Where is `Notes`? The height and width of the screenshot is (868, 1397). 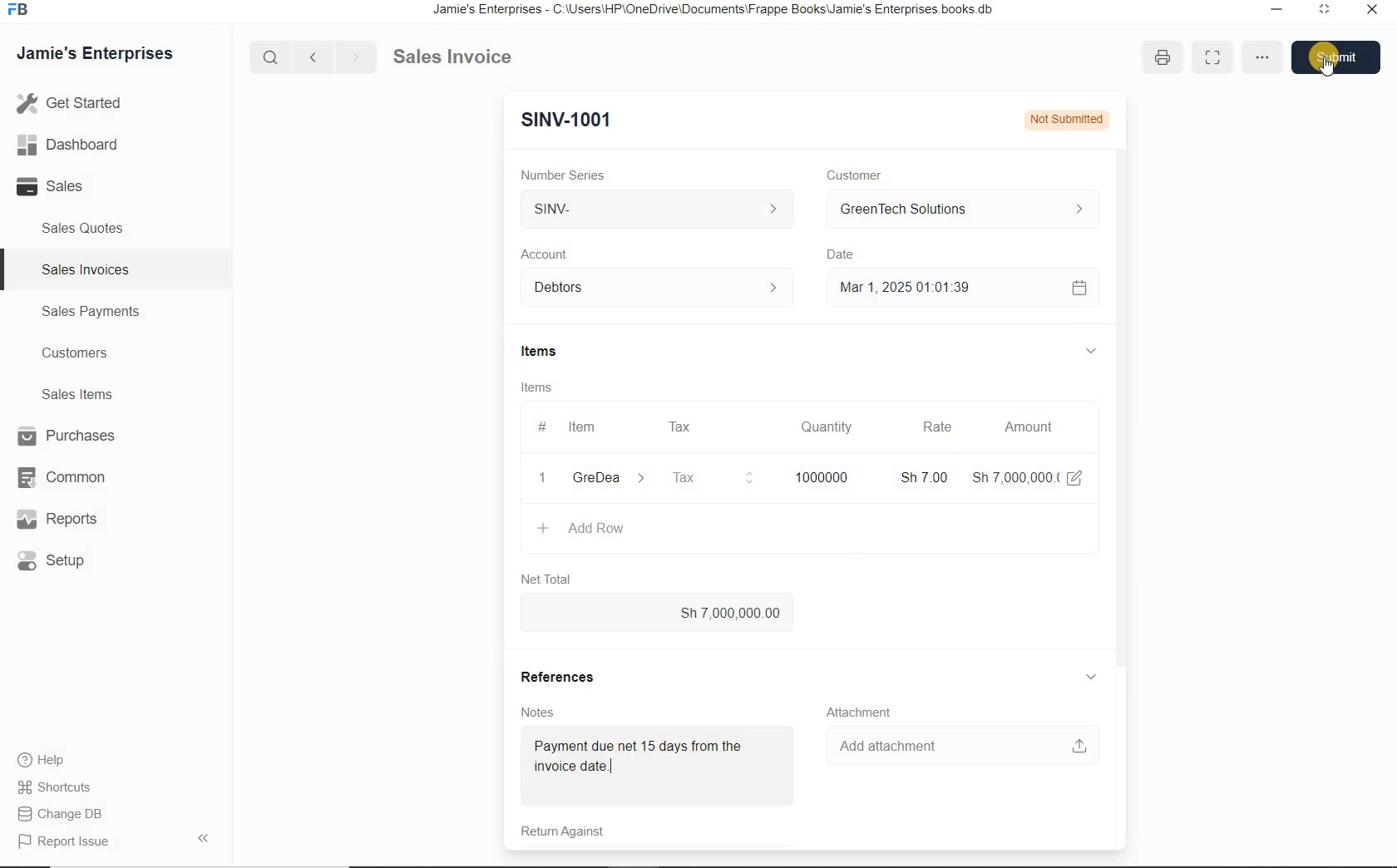 Notes is located at coordinates (531, 711).